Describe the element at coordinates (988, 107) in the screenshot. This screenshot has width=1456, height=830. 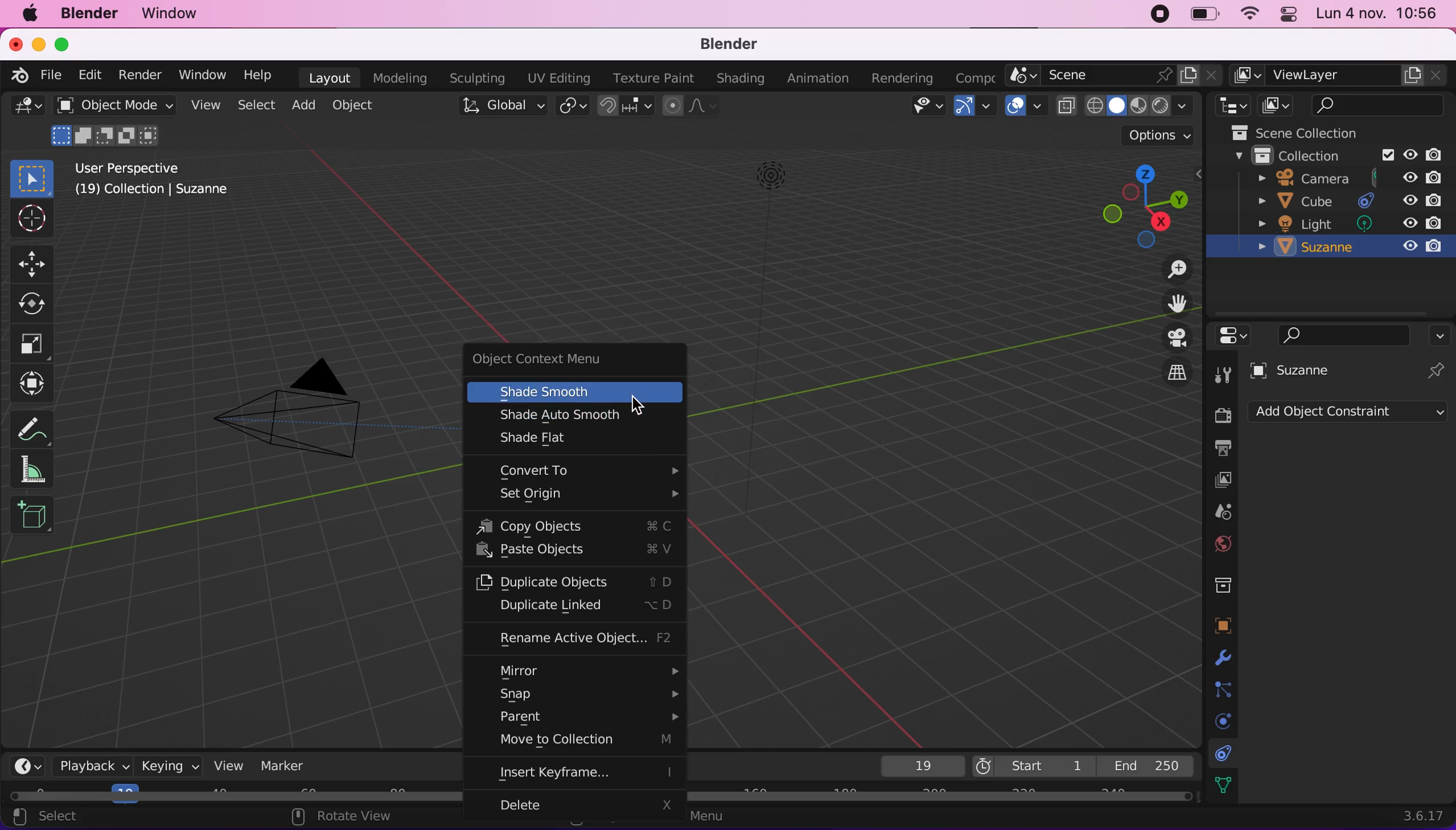
I see `Gizmos` at that location.